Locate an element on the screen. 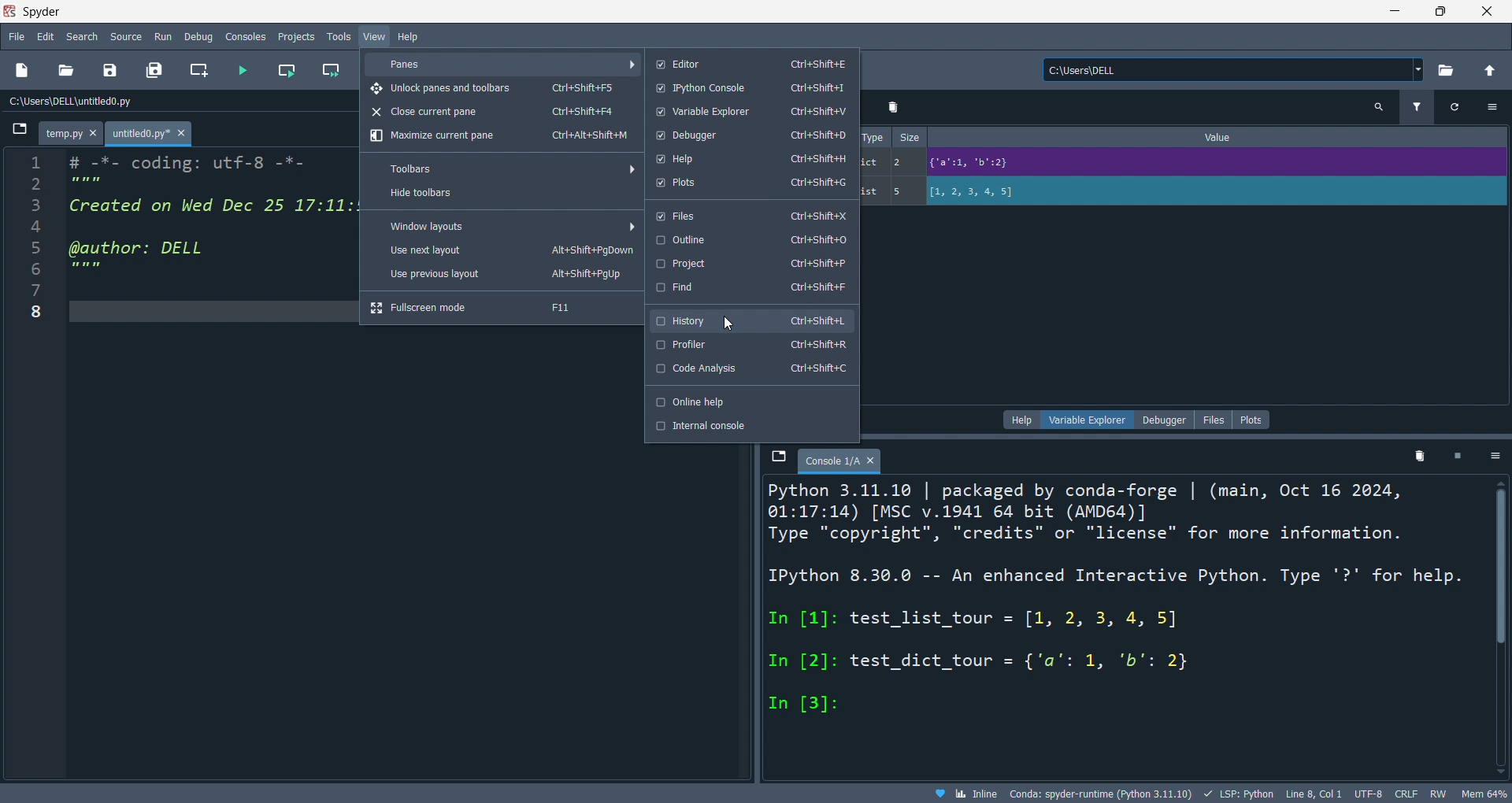 This screenshot has height=803, width=1512. panes is located at coordinates (505, 64).